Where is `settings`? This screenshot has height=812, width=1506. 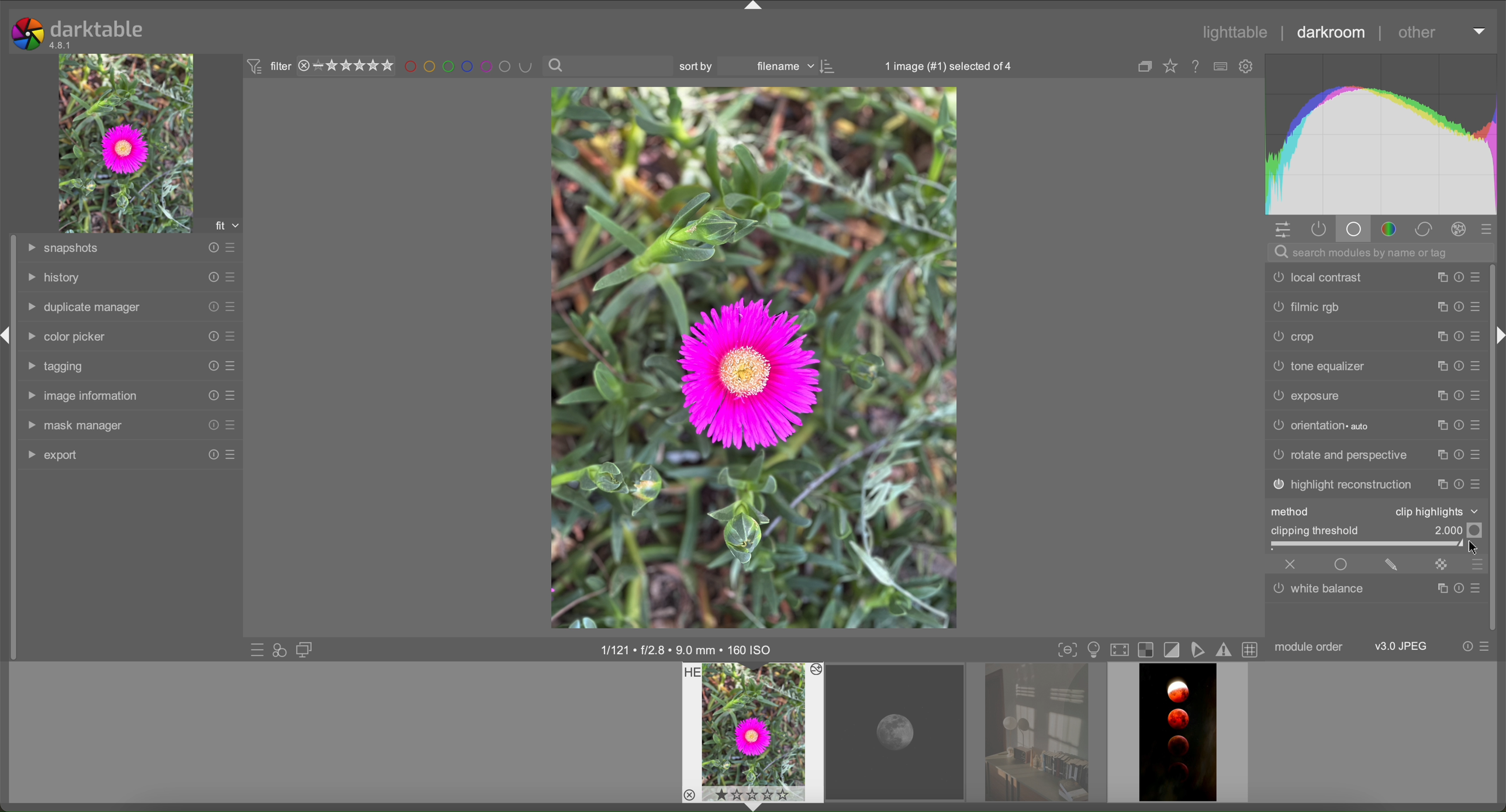
settings is located at coordinates (1284, 230).